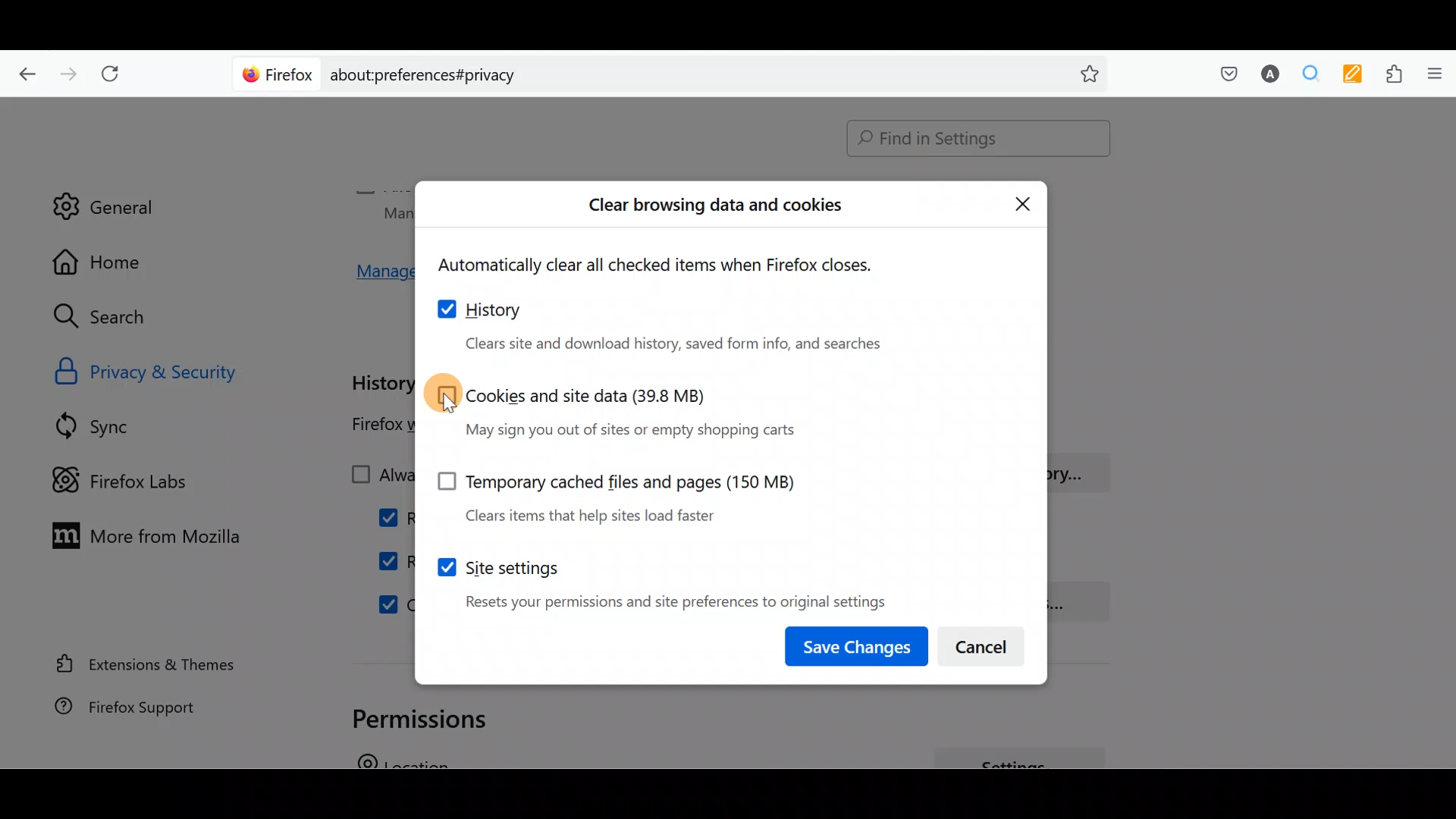 The height and width of the screenshot is (819, 1456). I want to click on Firefox labs, so click(133, 479).